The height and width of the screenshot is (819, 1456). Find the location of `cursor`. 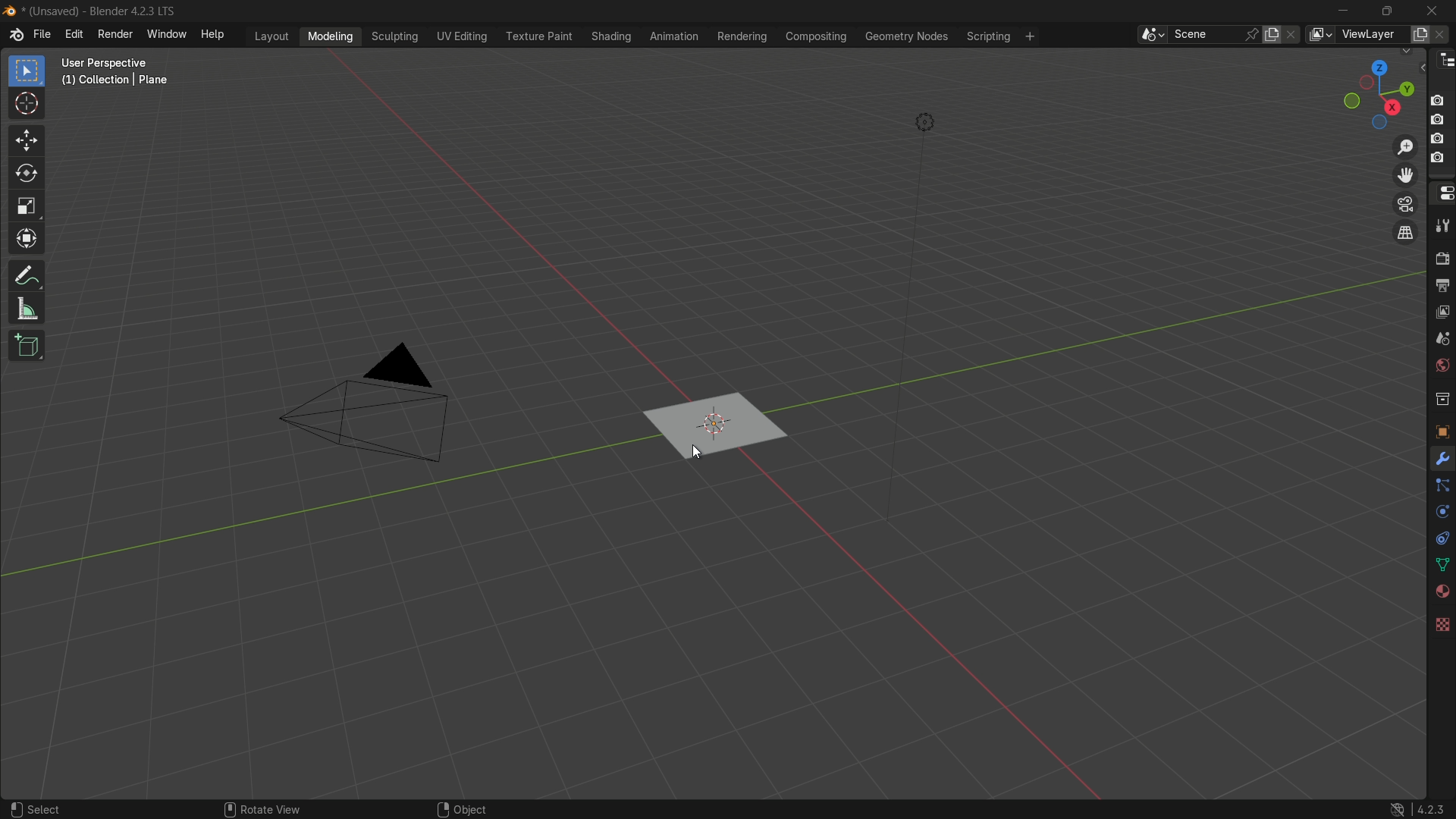

cursor is located at coordinates (27, 105).